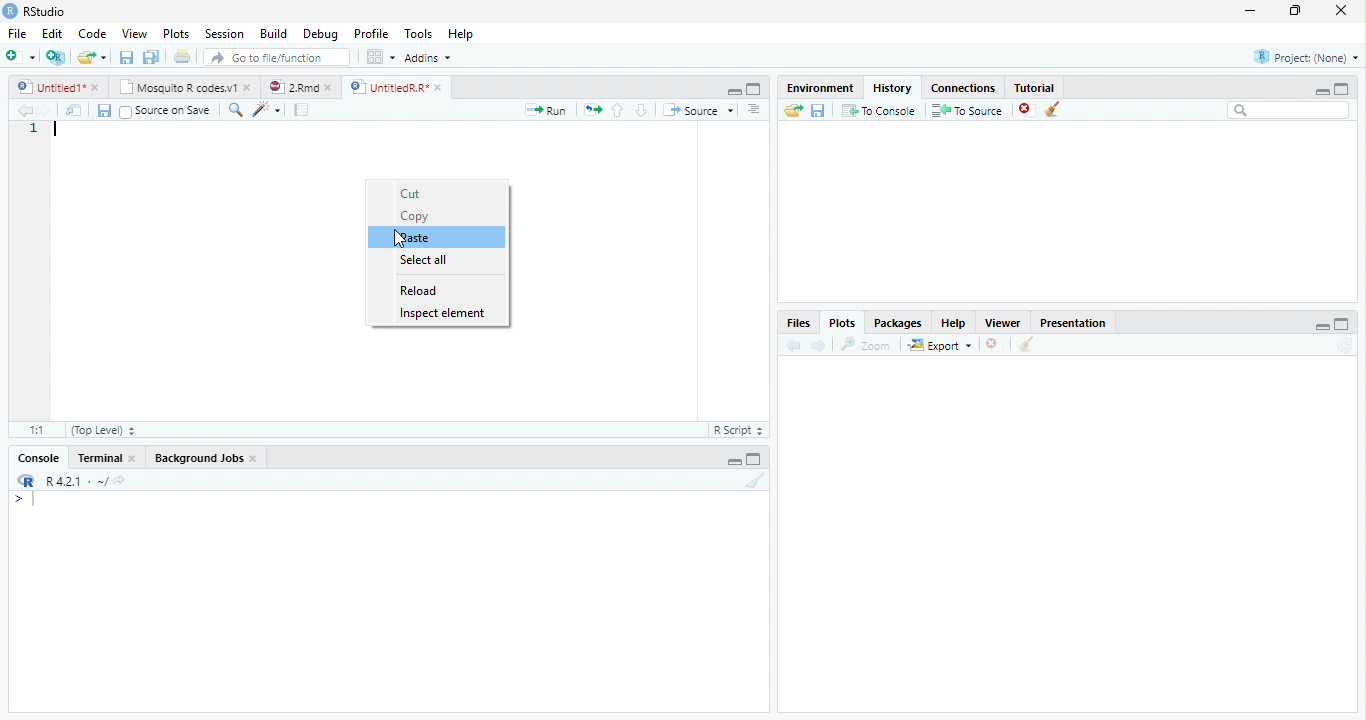 This screenshot has width=1366, height=720. What do you see at coordinates (175, 33) in the screenshot?
I see `Plots` at bounding box center [175, 33].